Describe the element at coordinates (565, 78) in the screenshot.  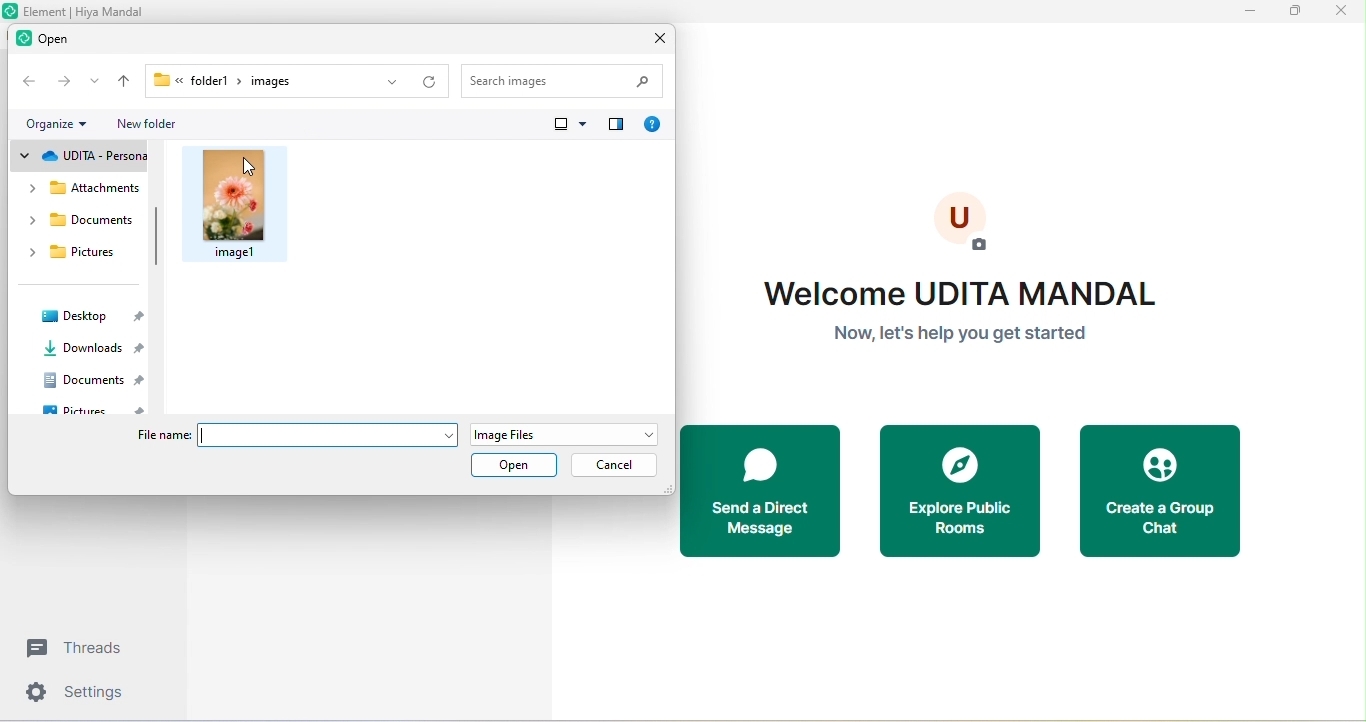
I see `search` at that location.